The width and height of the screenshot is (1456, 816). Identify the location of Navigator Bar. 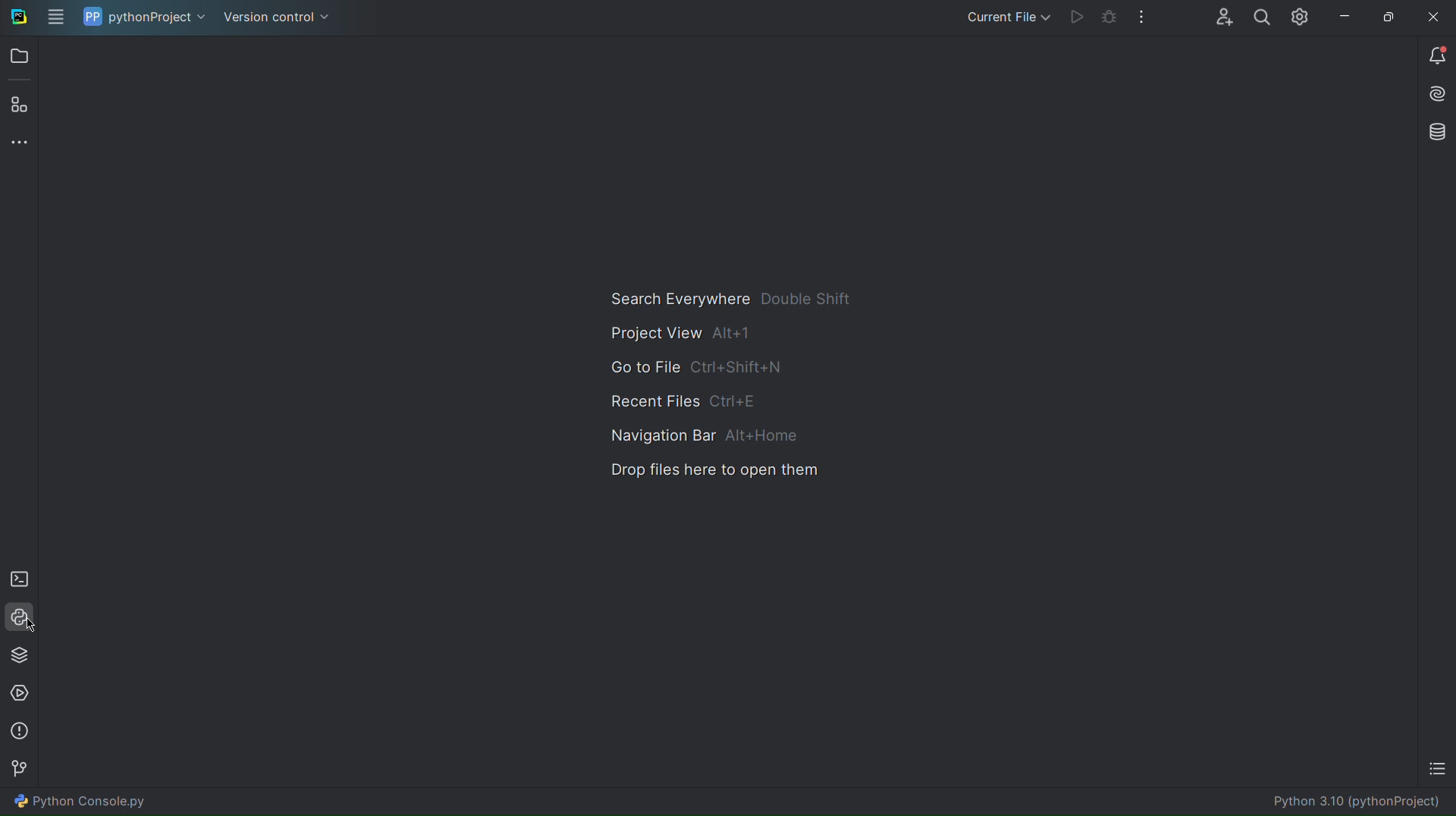
(705, 437).